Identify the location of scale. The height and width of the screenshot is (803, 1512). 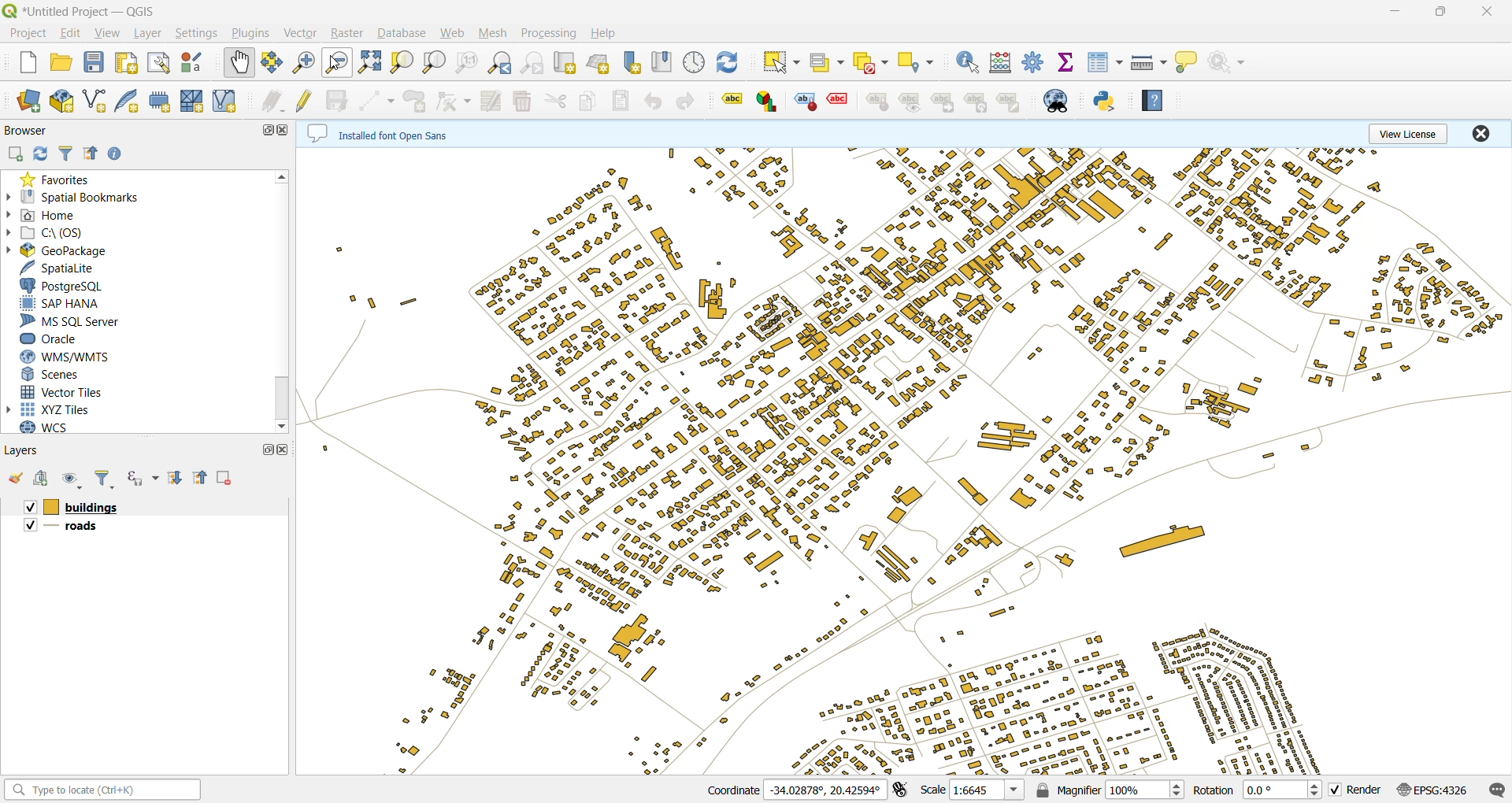
(973, 790).